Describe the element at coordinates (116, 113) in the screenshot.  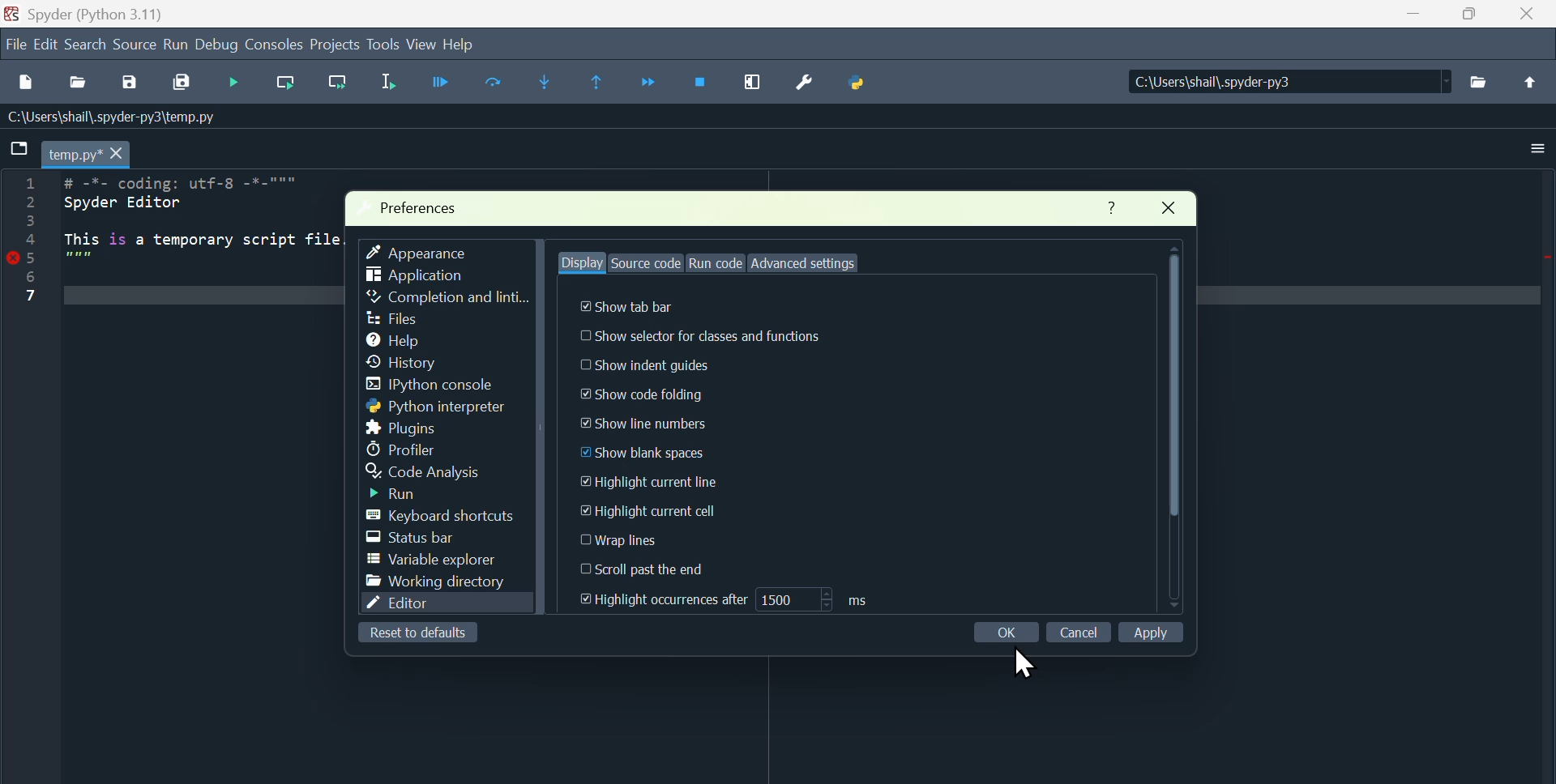
I see `C:\Users\shail\.spyder-py3\temp.py` at that location.